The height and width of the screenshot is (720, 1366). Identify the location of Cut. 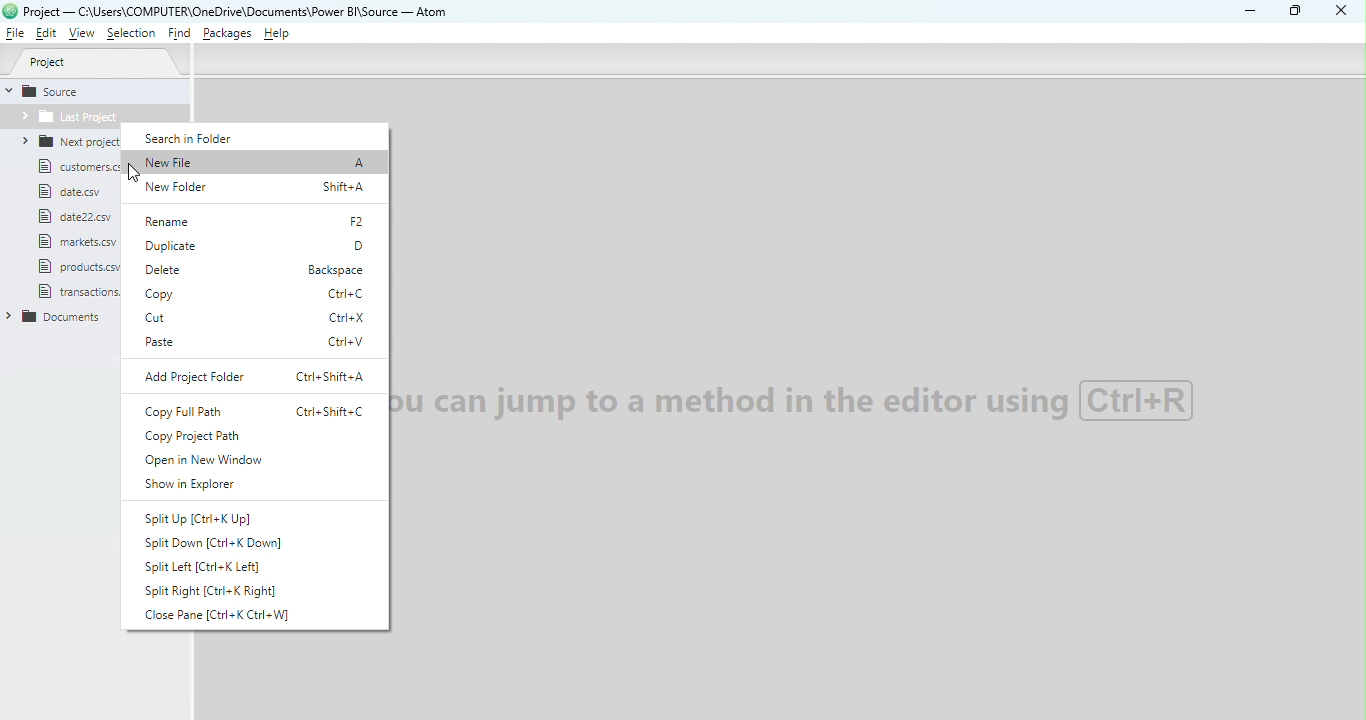
(254, 317).